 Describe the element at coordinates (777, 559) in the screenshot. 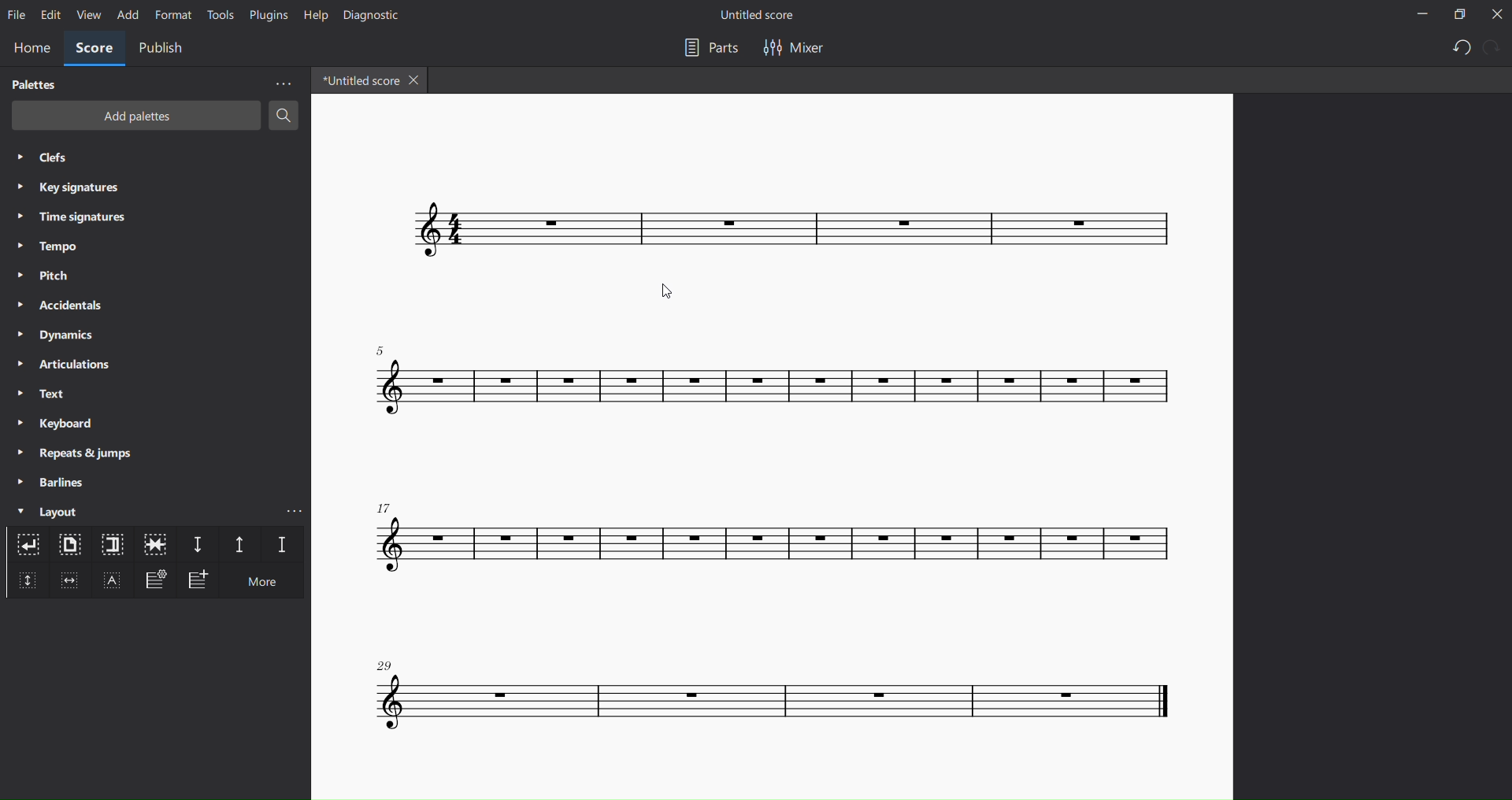

I see `score with changed layout` at that location.